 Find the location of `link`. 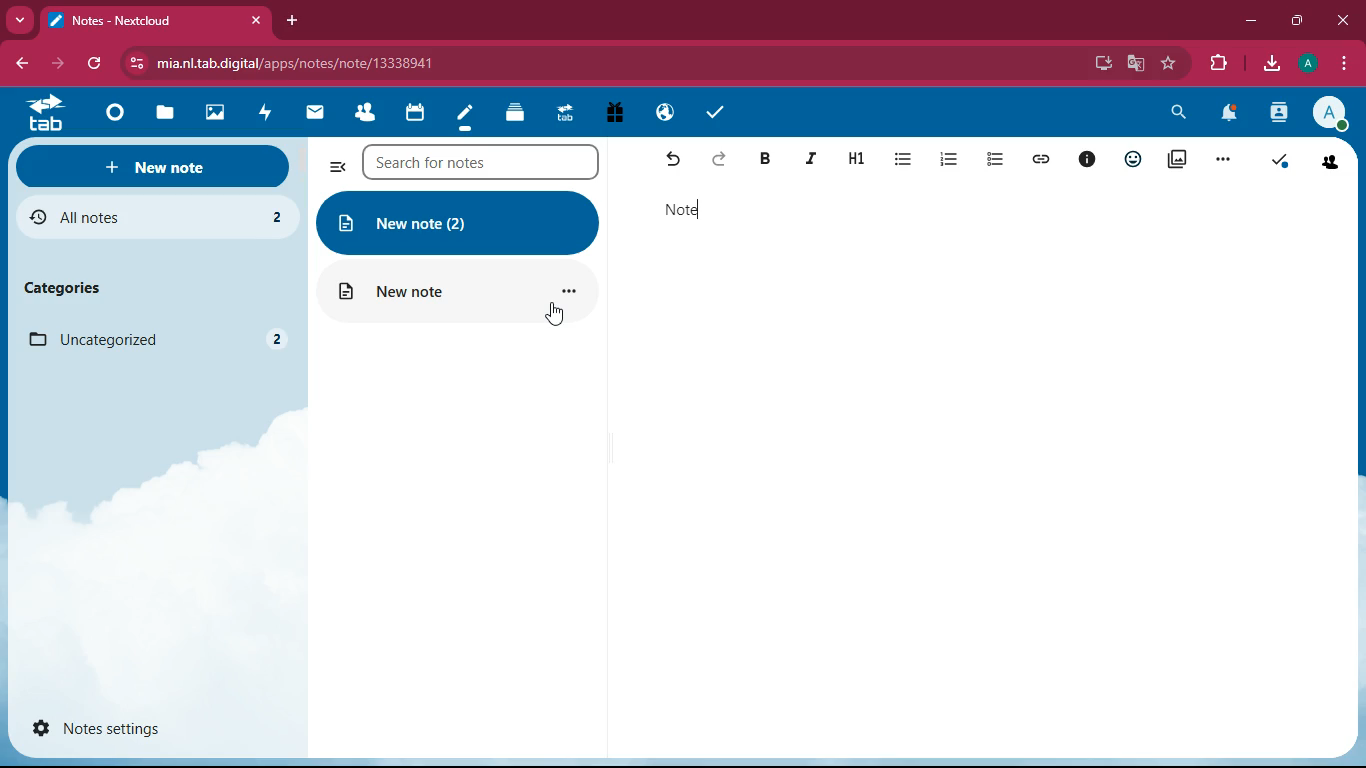

link is located at coordinates (1042, 158).